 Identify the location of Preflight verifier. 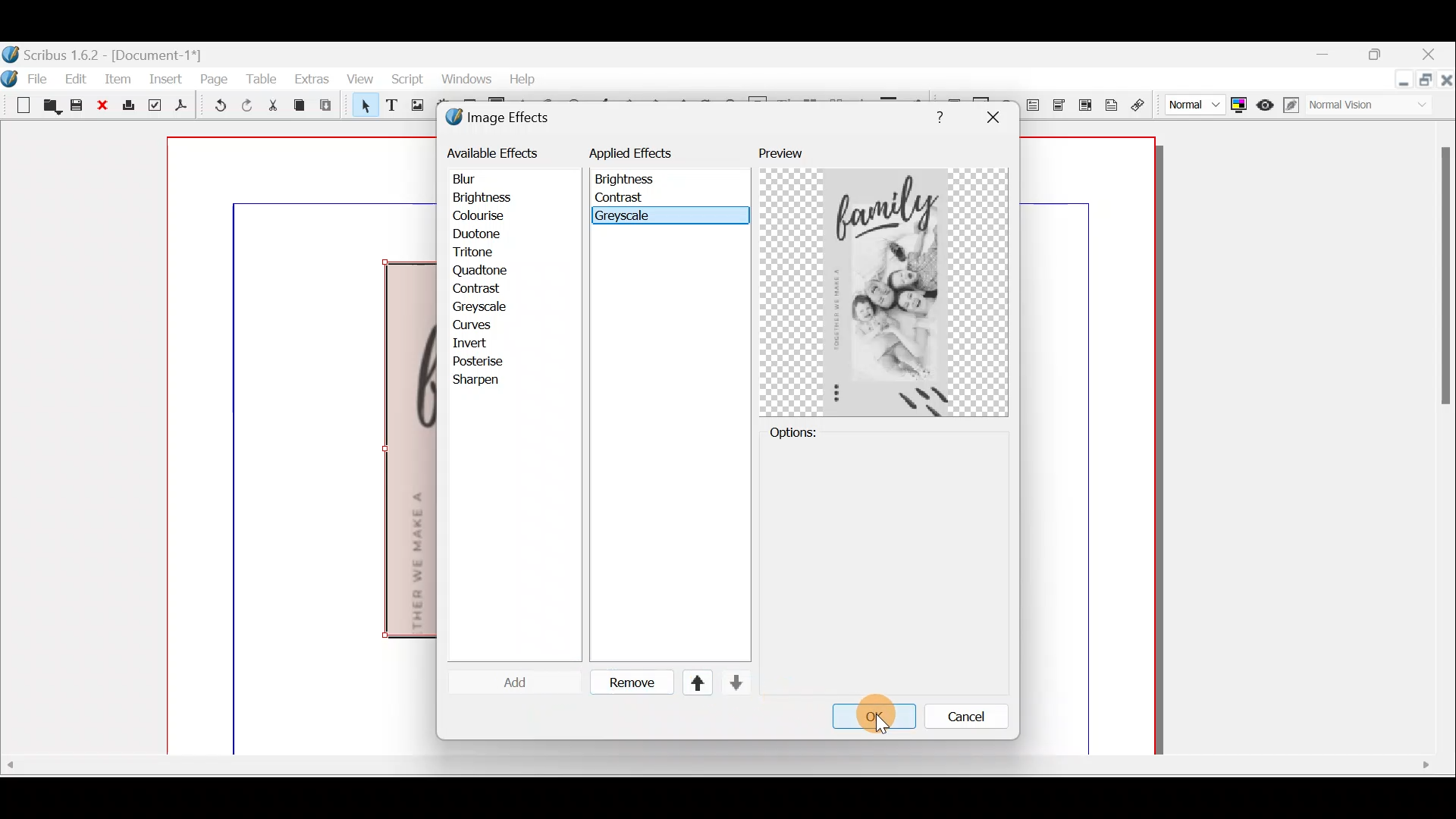
(155, 107).